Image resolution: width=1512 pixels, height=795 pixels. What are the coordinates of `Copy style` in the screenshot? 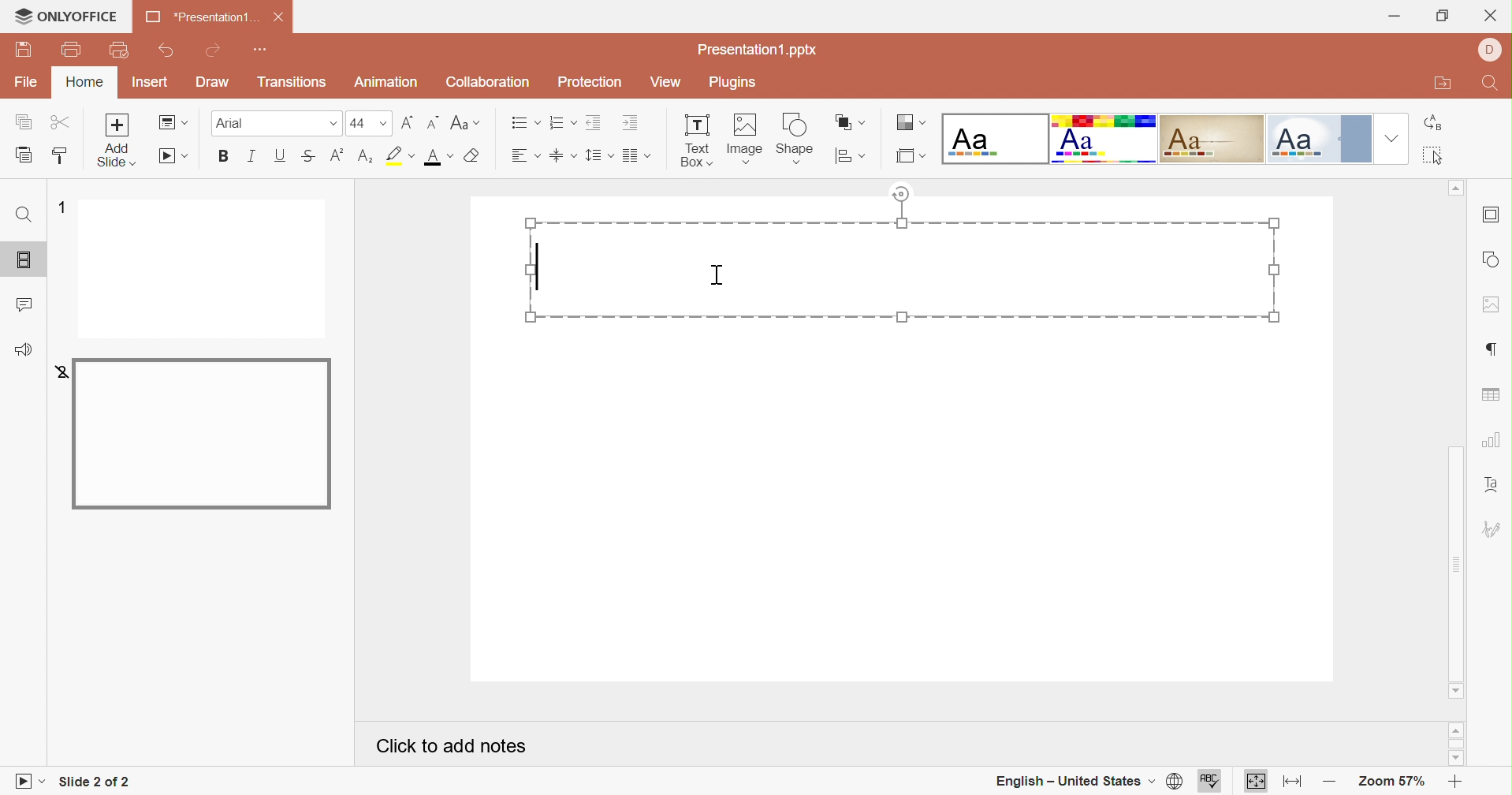 It's located at (62, 159).